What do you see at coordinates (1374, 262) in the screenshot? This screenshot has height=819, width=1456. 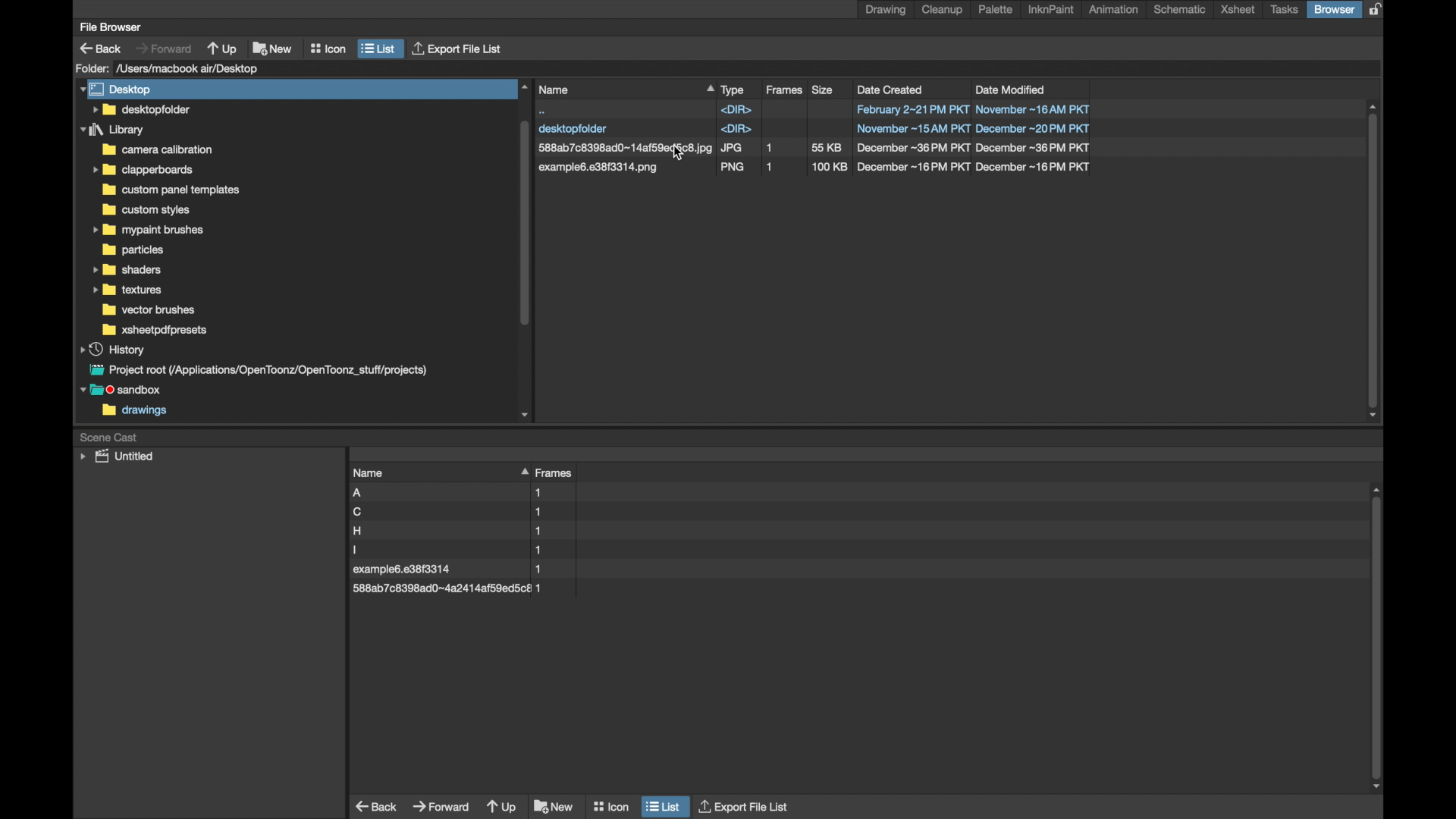 I see `scroll box` at bounding box center [1374, 262].